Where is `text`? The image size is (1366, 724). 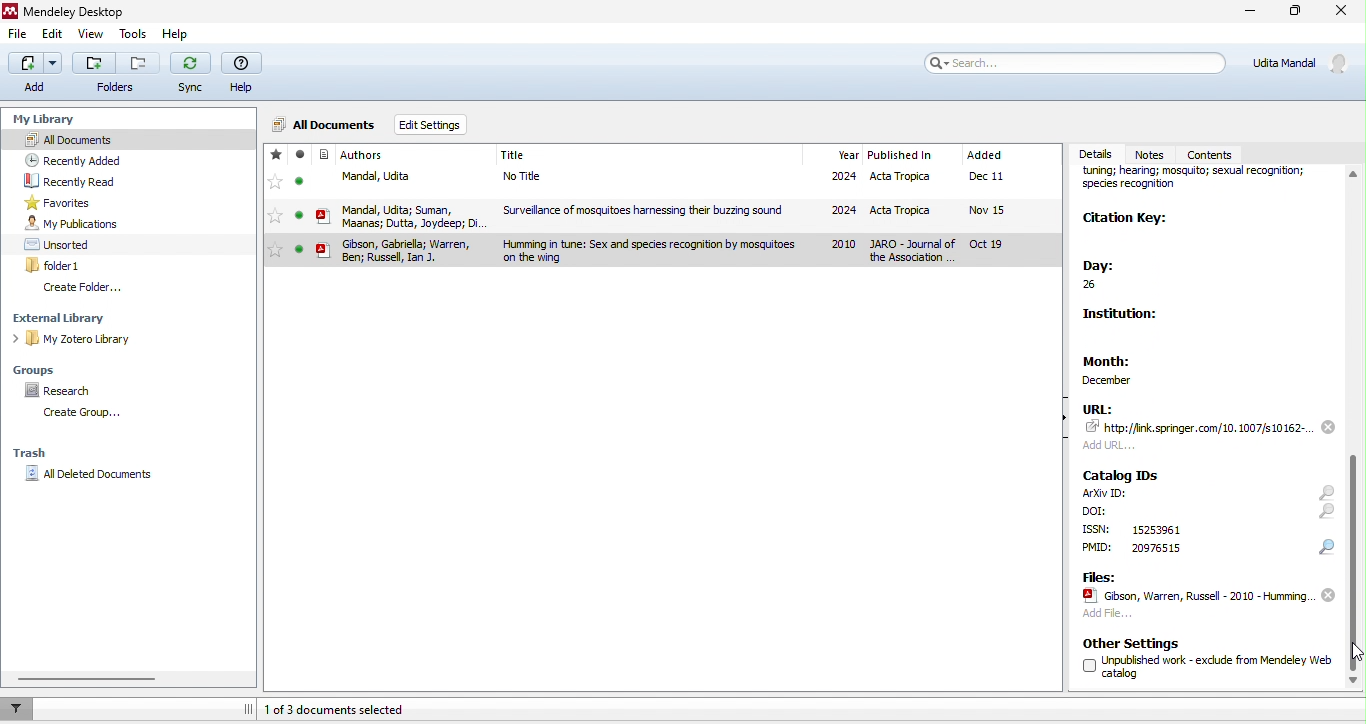 text is located at coordinates (1155, 548).